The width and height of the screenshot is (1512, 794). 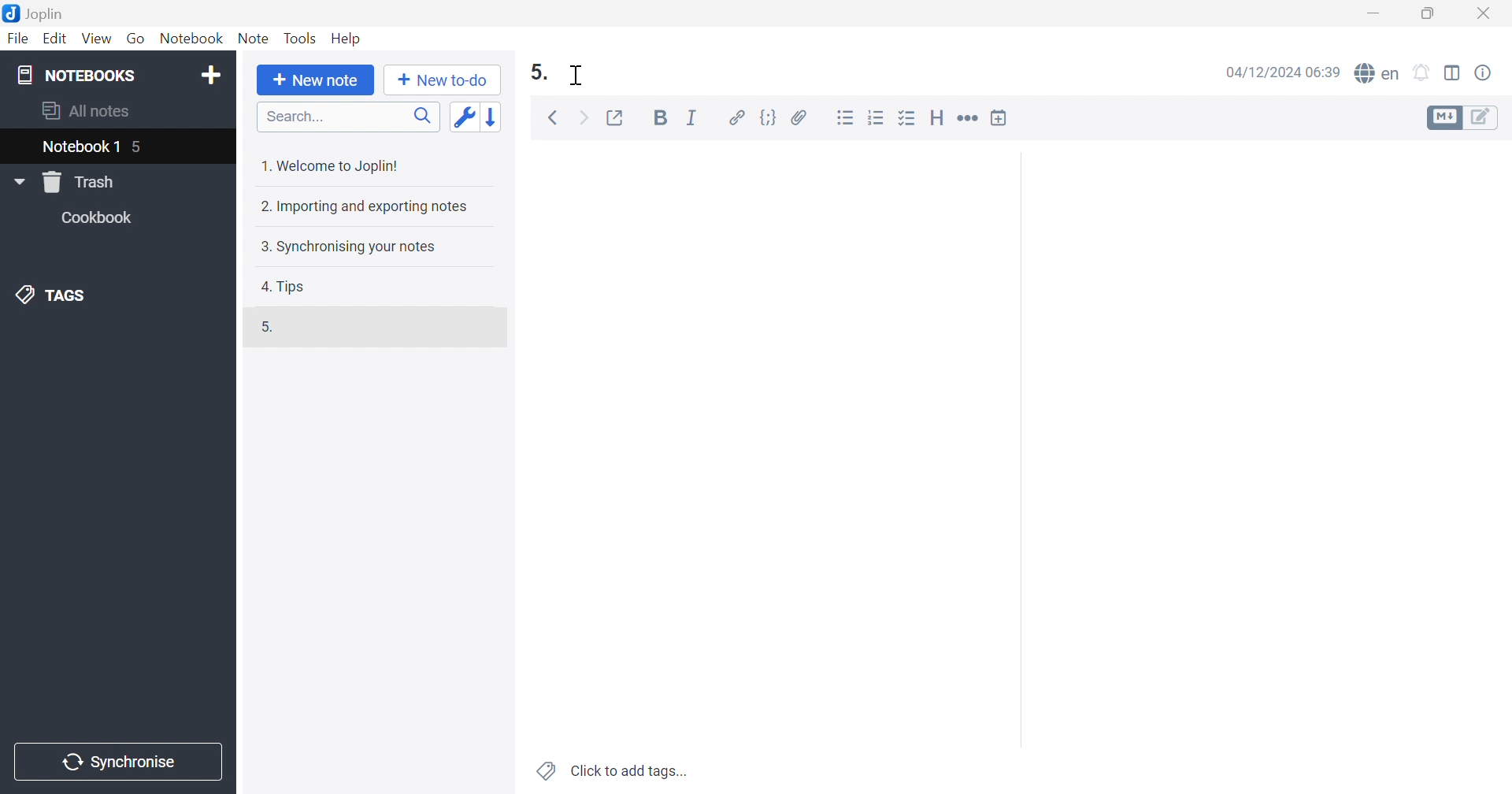 What do you see at coordinates (1279, 75) in the screenshot?
I see `04/12/2024 06:39` at bounding box center [1279, 75].